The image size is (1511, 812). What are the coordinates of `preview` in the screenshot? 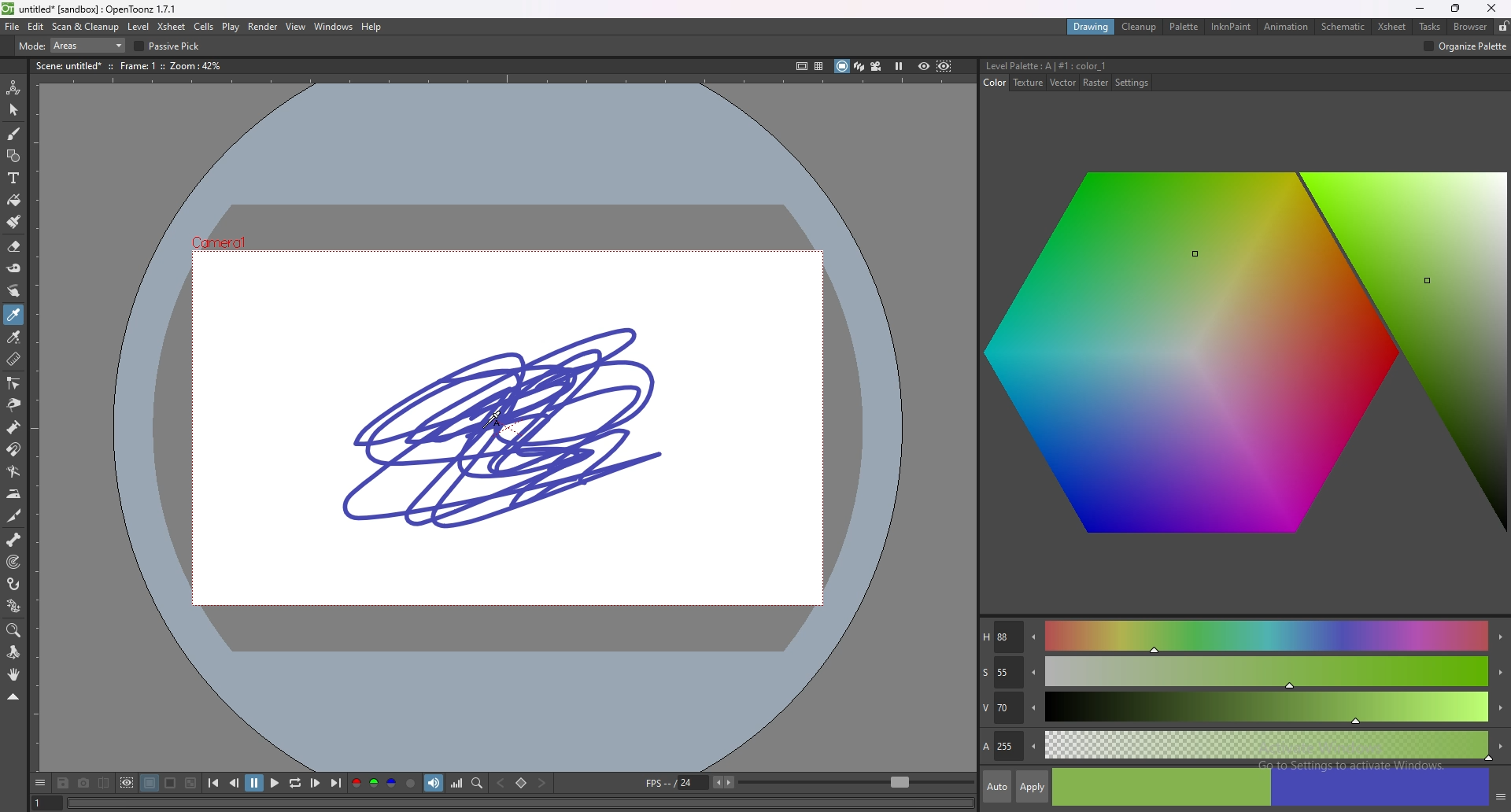 It's located at (924, 65).